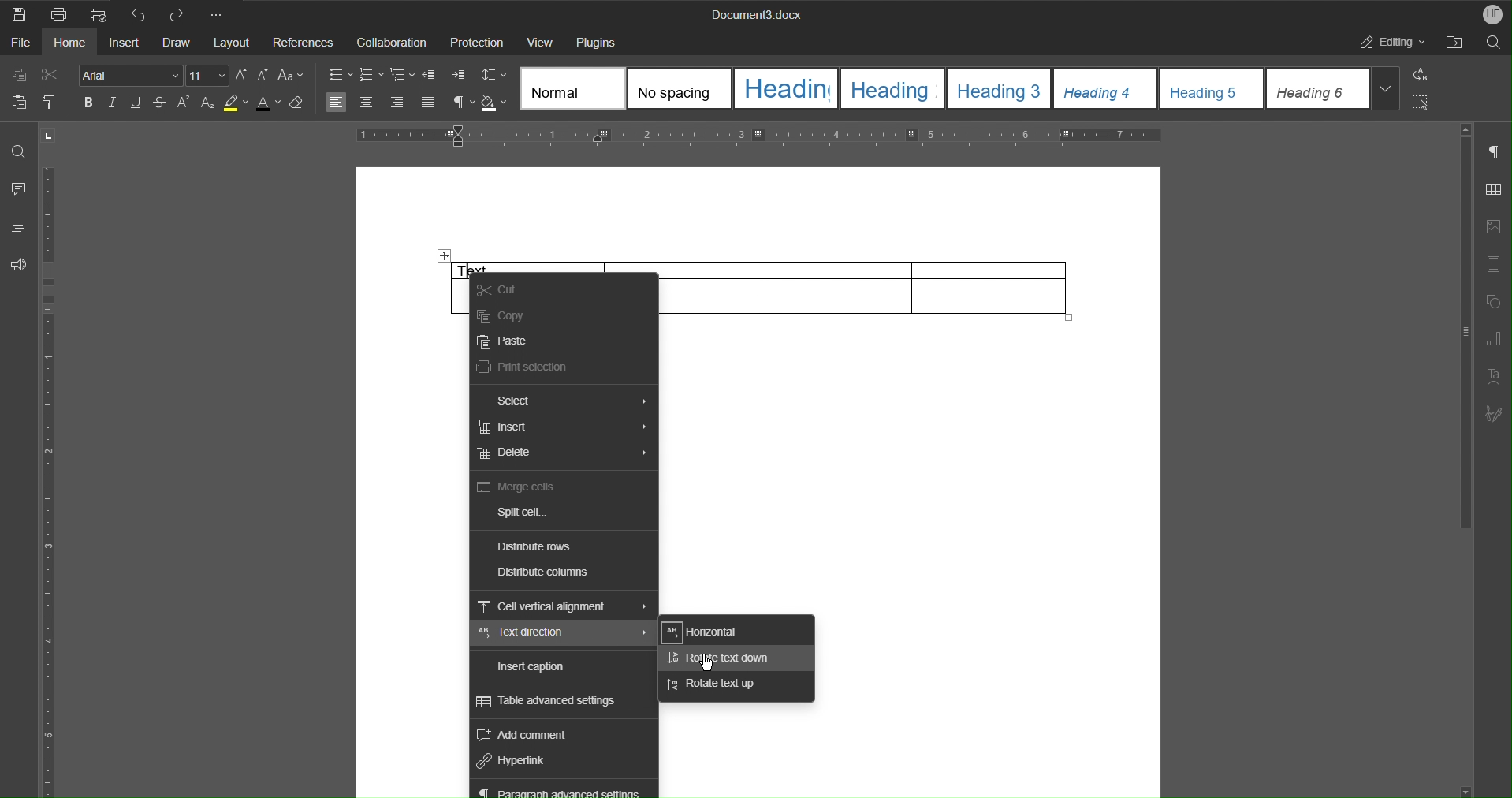 The image size is (1512, 798). What do you see at coordinates (1389, 42) in the screenshot?
I see `Editing` at bounding box center [1389, 42].